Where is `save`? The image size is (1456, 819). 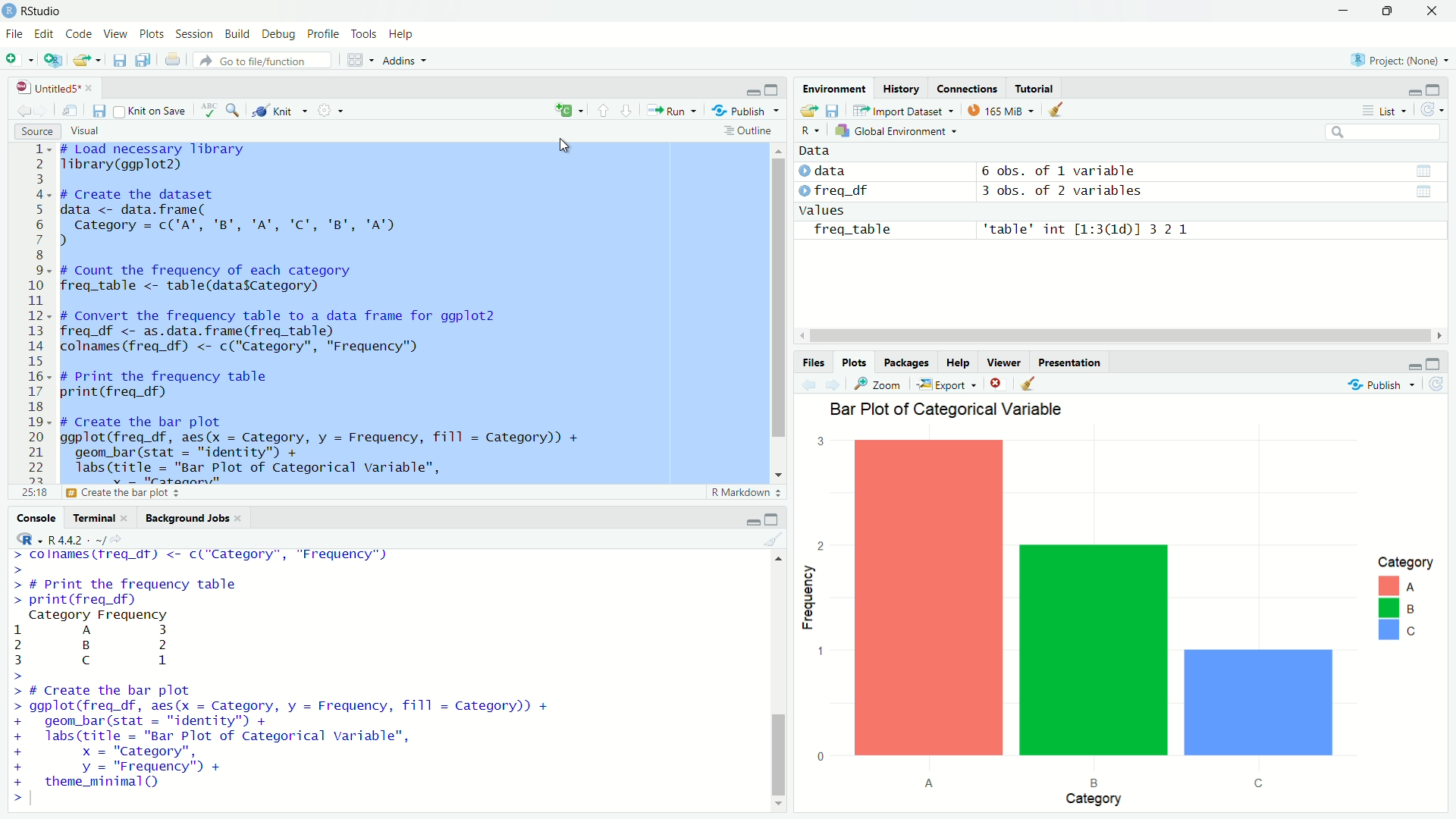
save is located at coordinates (834, 111).